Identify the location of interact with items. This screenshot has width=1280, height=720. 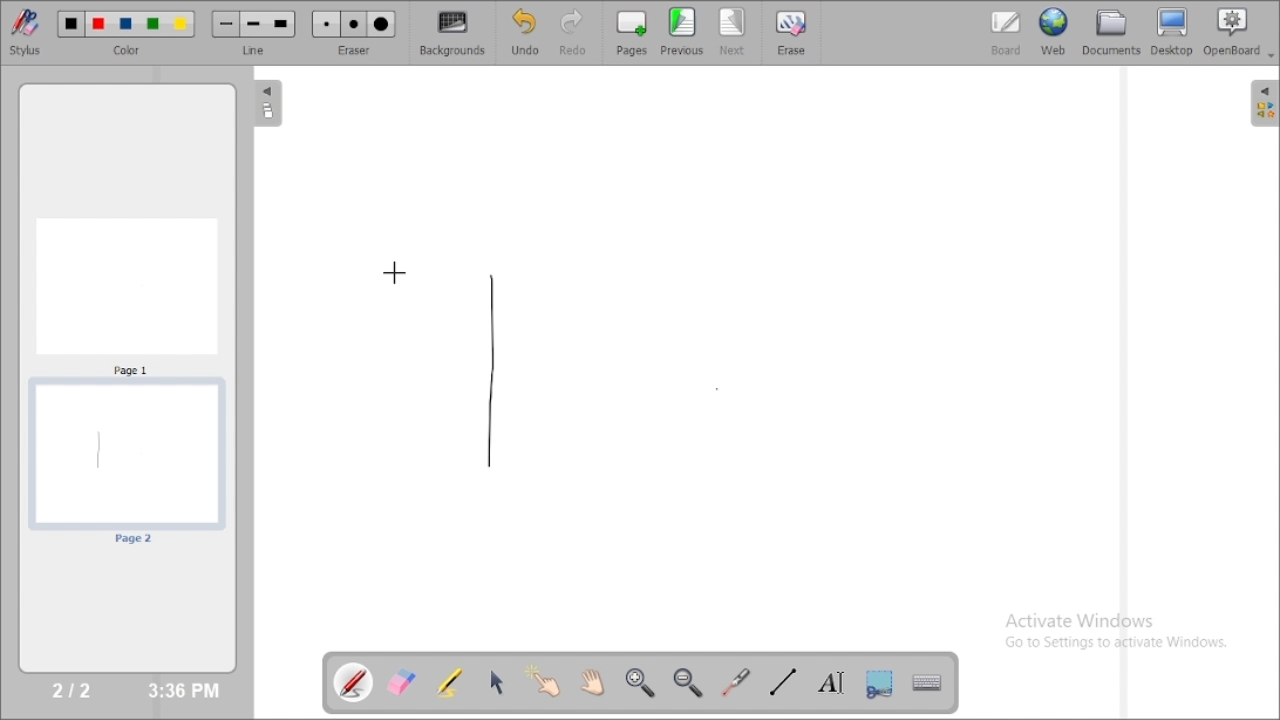
(545, 681).